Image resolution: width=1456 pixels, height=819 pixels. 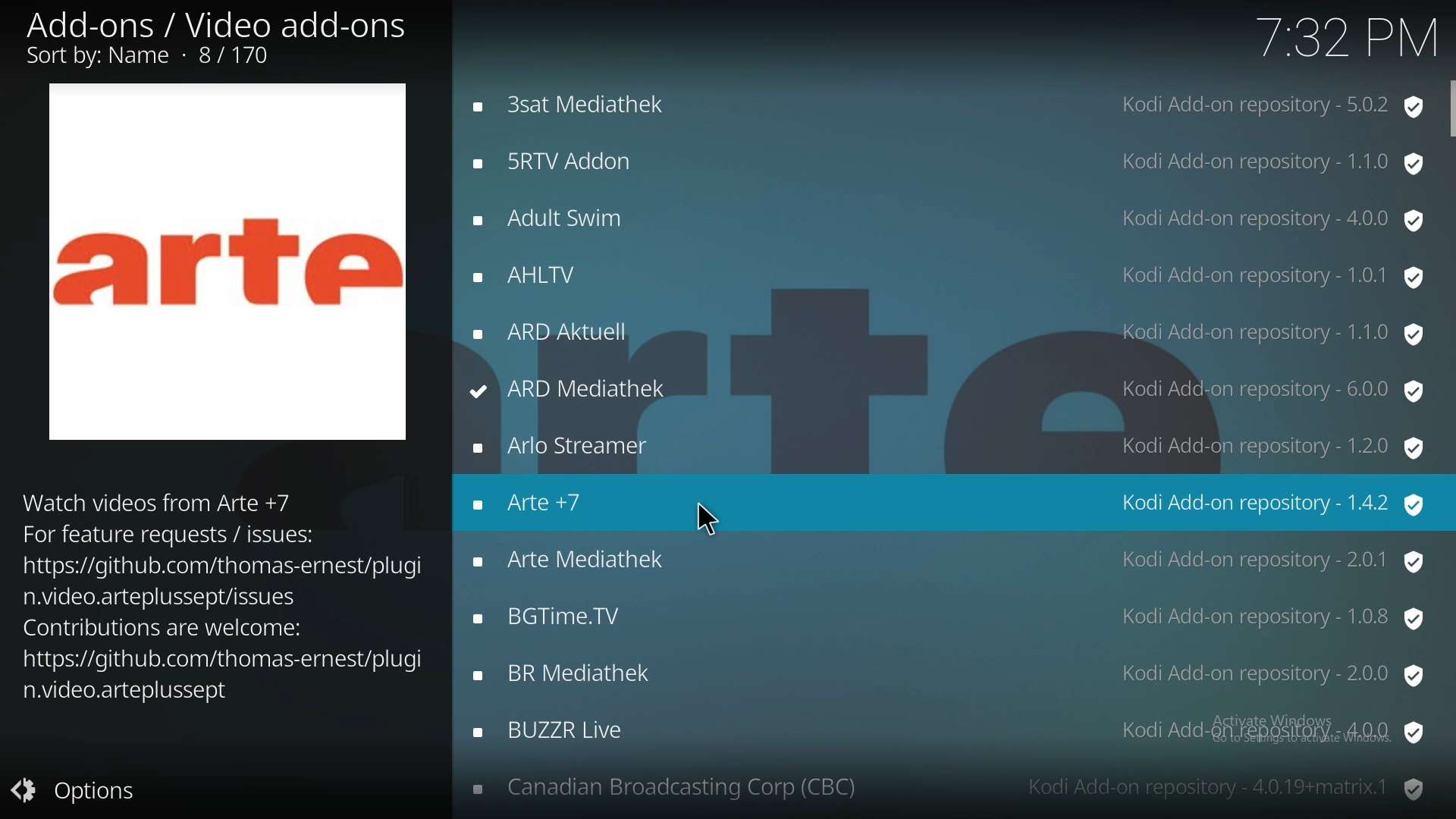 What do you see at coordinates (1447, 111) in the screenshot?
I see `scroll bar` at bounding box center [1447, 111].